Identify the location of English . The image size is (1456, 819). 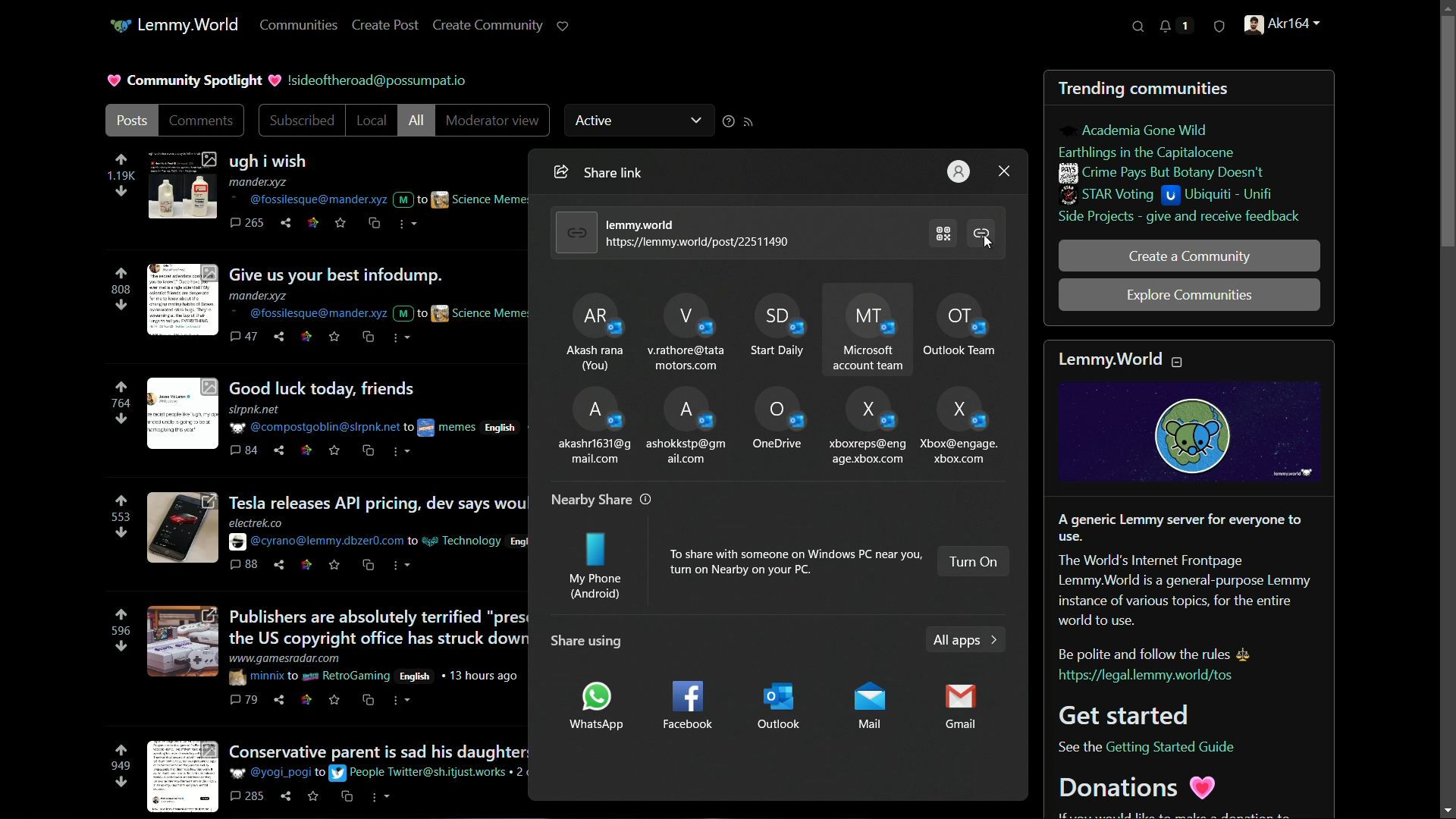
(505, 425).